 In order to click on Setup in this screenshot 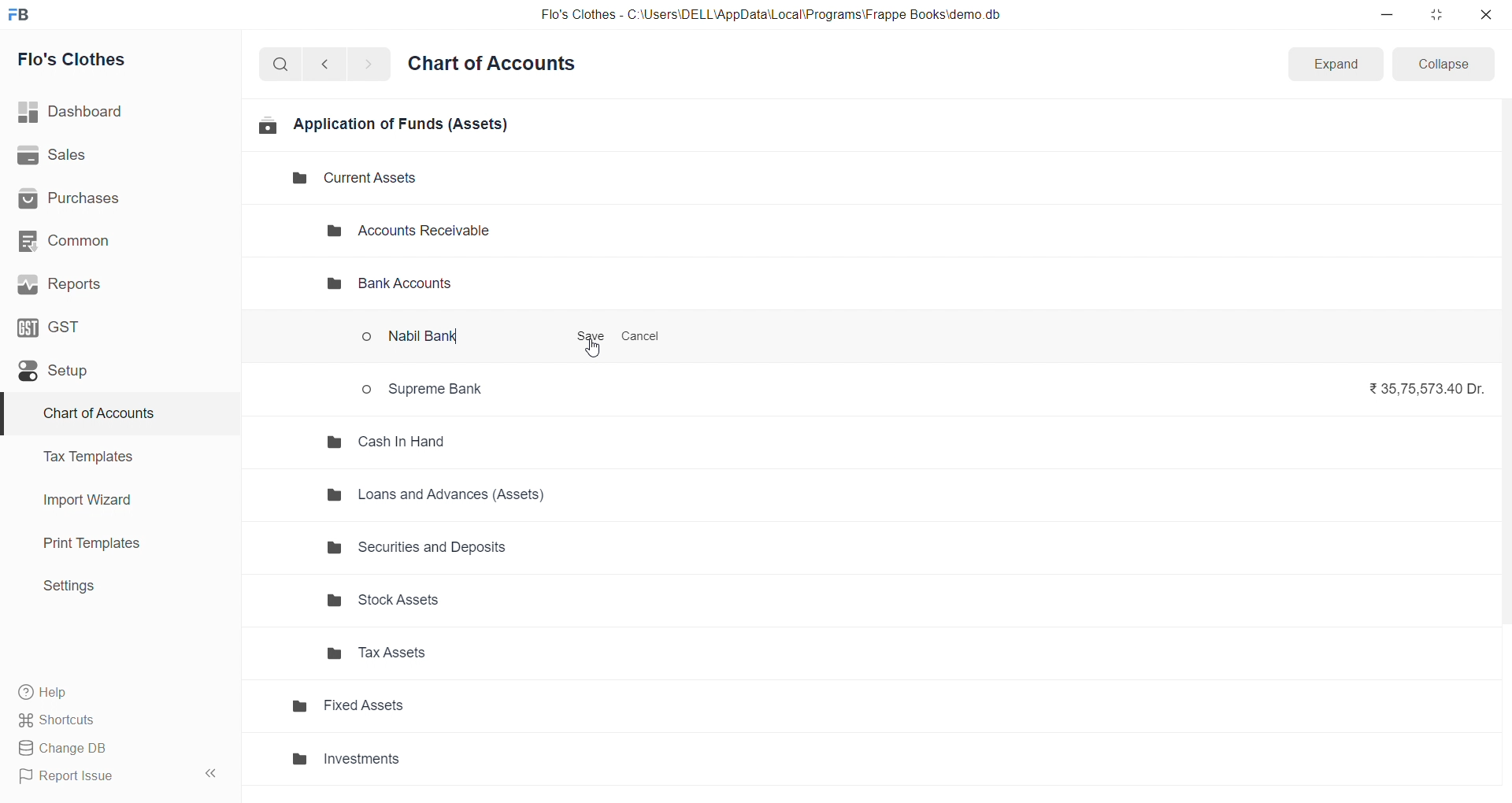, I will do `click(113, 370)`.